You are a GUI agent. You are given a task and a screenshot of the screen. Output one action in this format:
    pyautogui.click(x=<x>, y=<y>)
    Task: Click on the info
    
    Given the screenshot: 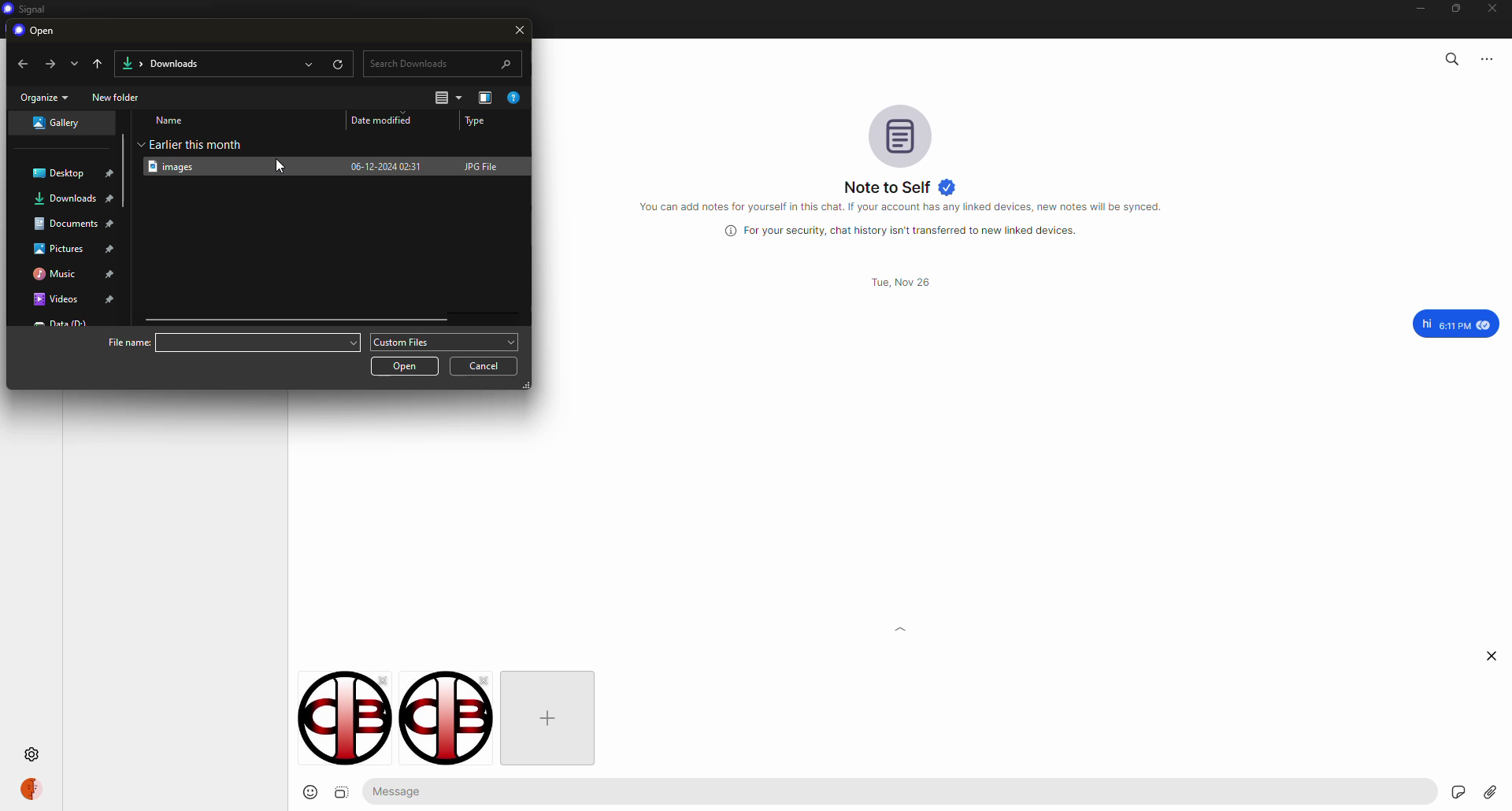 What is the action you would take?
    pyautogui.click(x=906, y=207)
    